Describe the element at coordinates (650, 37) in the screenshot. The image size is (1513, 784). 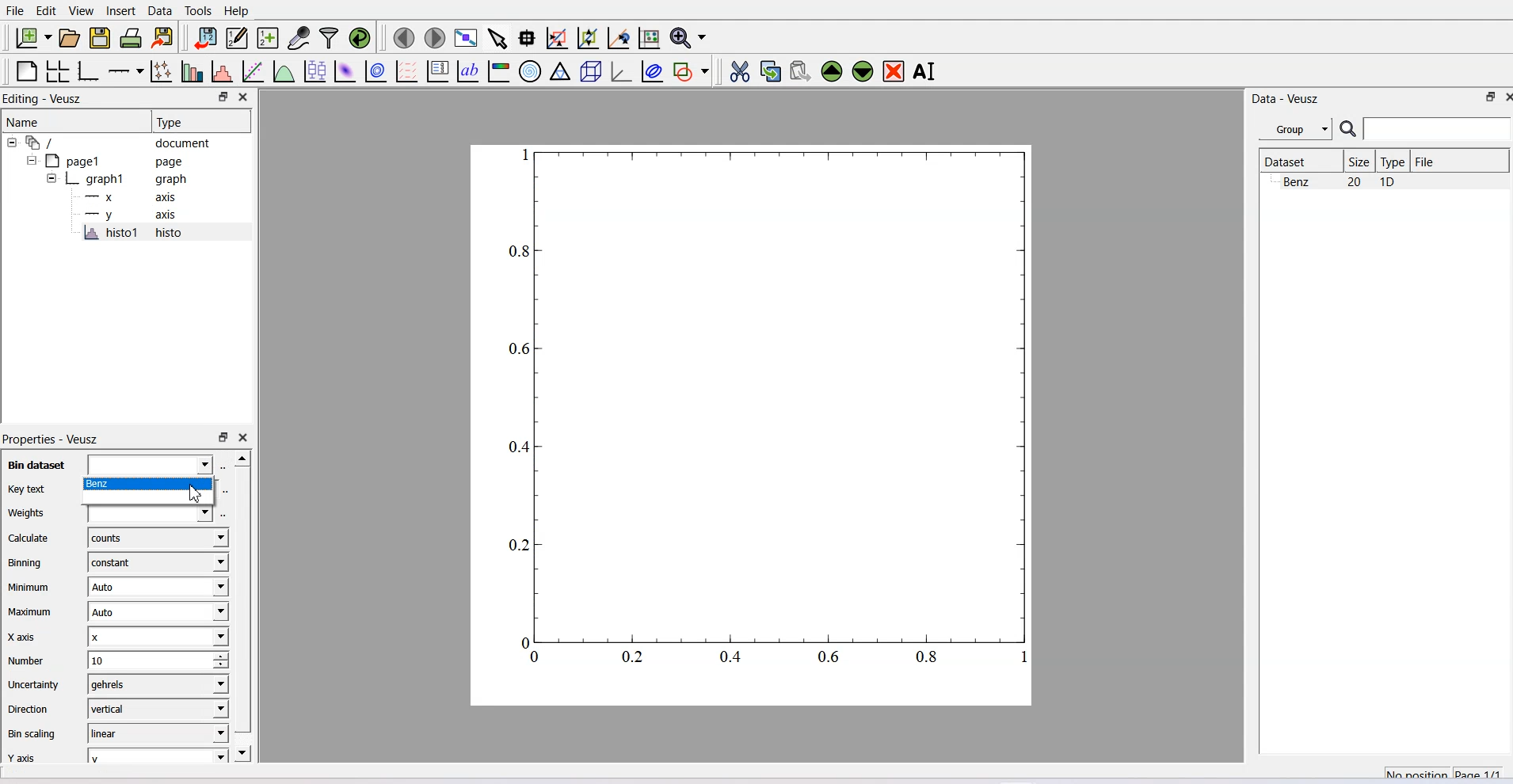
I see `Reset graph axes` at that location.